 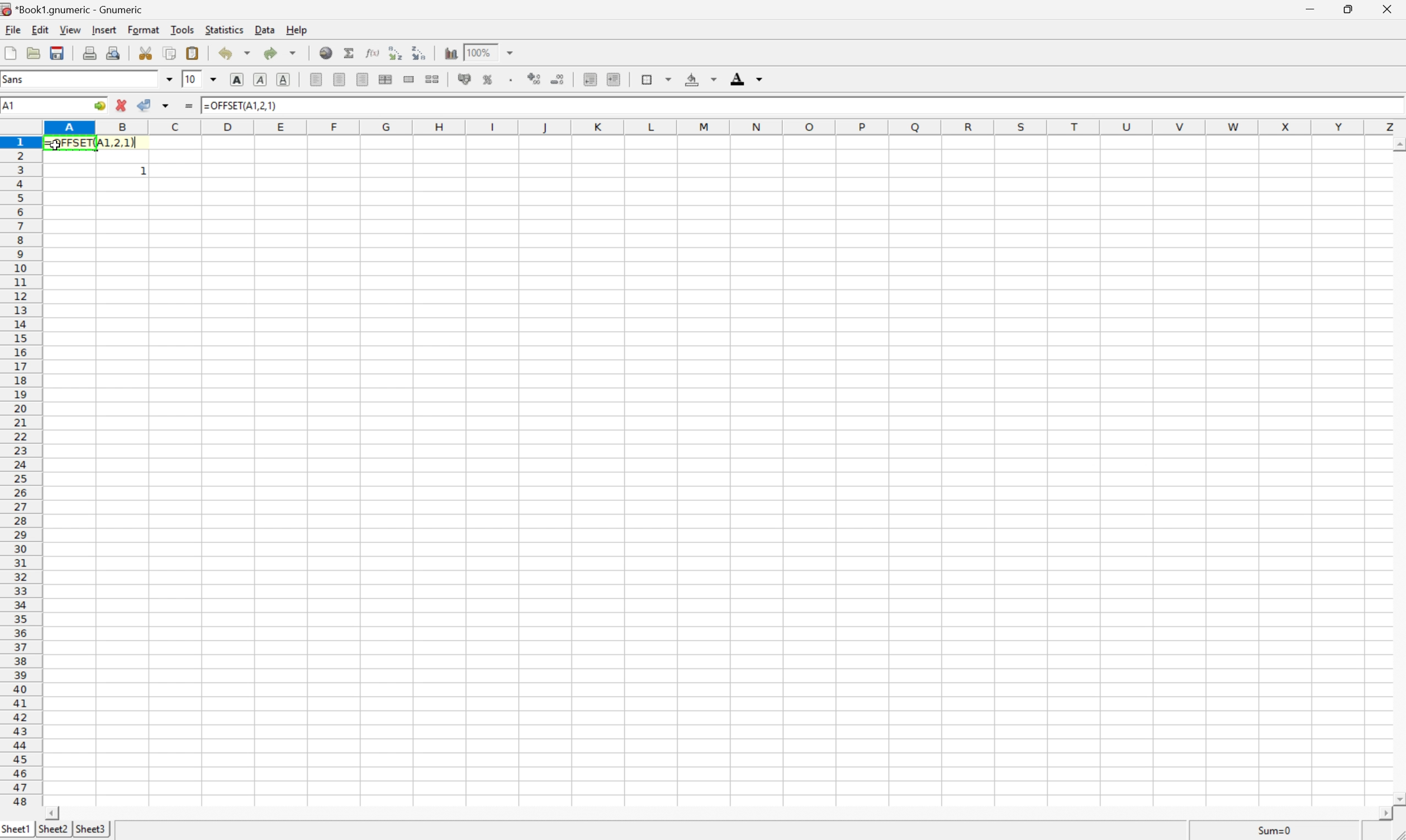 What do you see at coordinates (192, 105) in the screenshot?
I see `enter formula` at bounding box center [192, 105].